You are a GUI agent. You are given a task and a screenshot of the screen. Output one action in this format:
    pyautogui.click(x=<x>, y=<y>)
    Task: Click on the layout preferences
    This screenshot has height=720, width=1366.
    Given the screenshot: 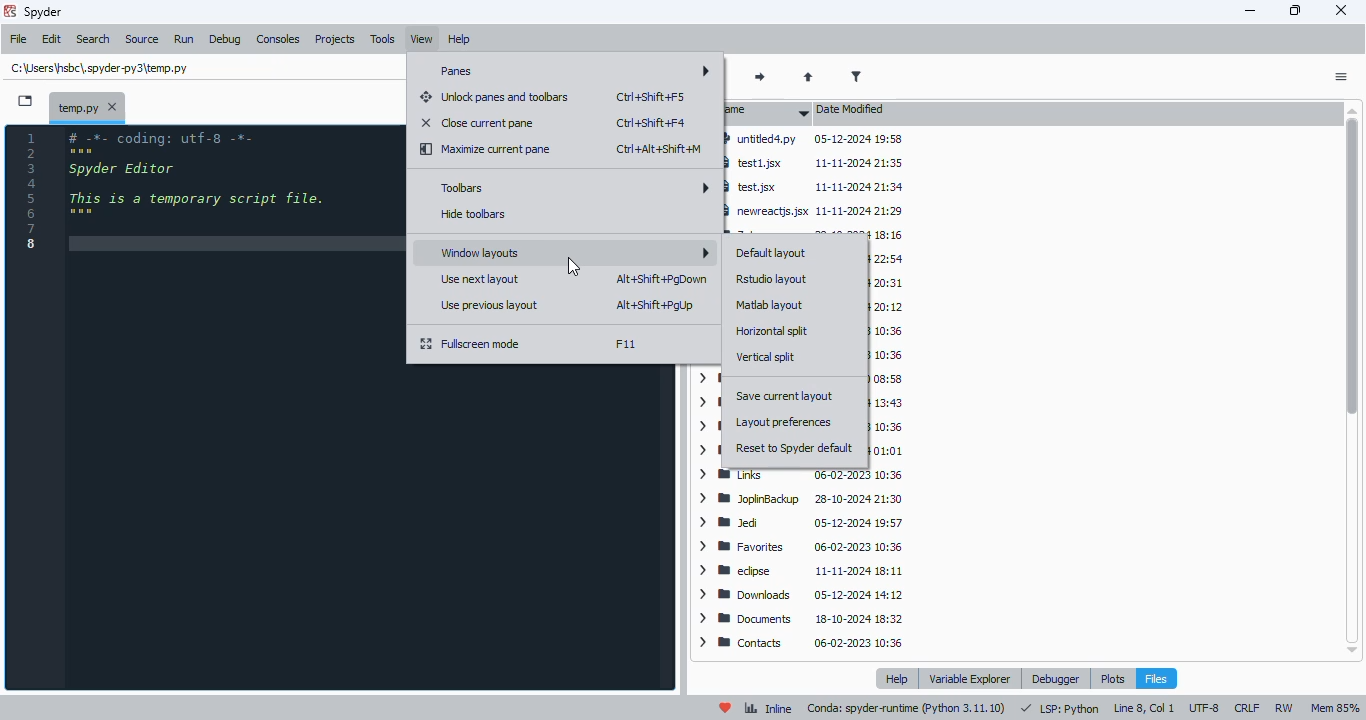 What is the action you would take?
    pyautogui.click(x=782, y=421)
    